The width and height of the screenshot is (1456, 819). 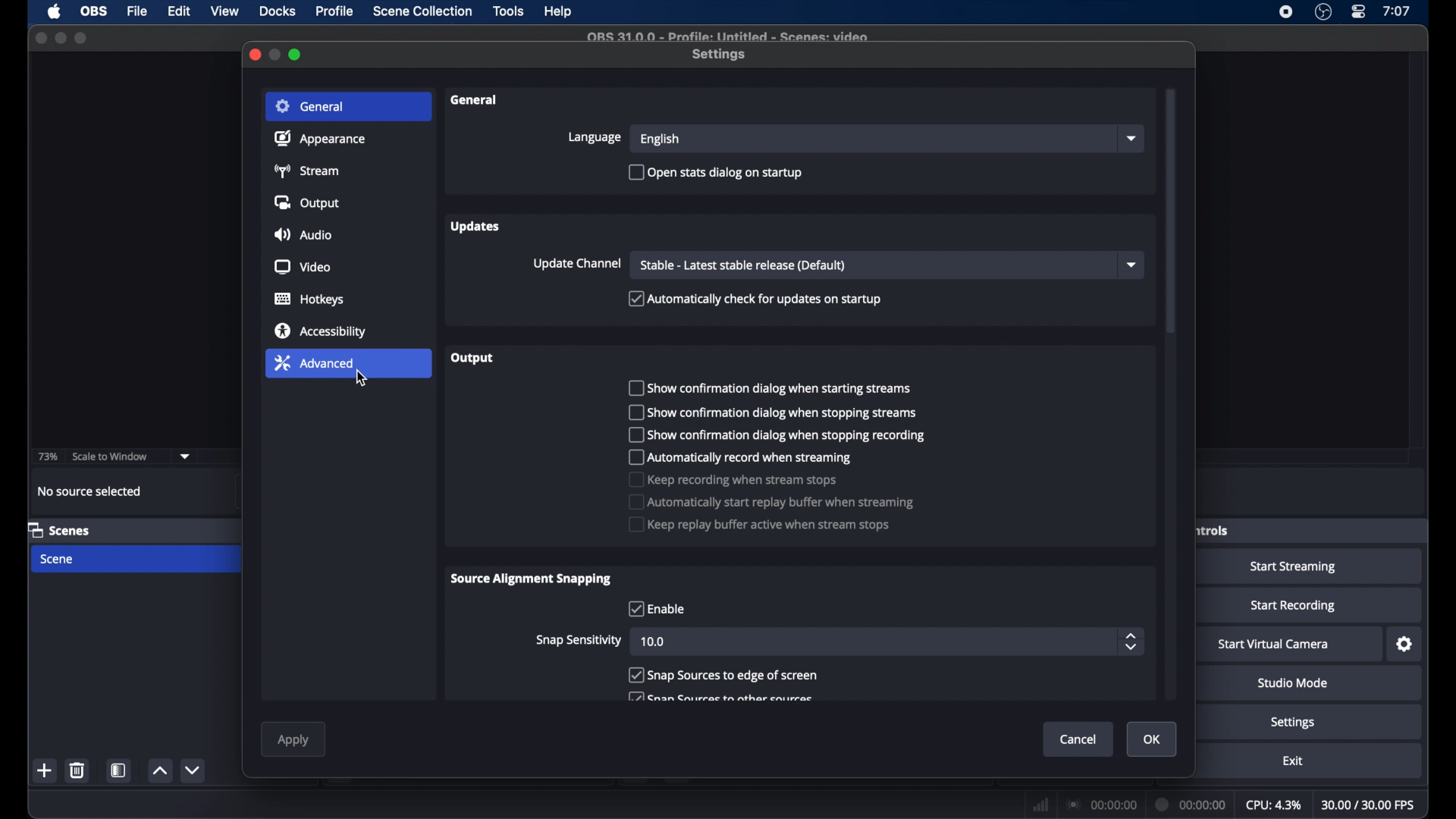 What do you see at coordinates (178, 11) in the screenshot?
I see `edit` at bounding box center [178, 11].